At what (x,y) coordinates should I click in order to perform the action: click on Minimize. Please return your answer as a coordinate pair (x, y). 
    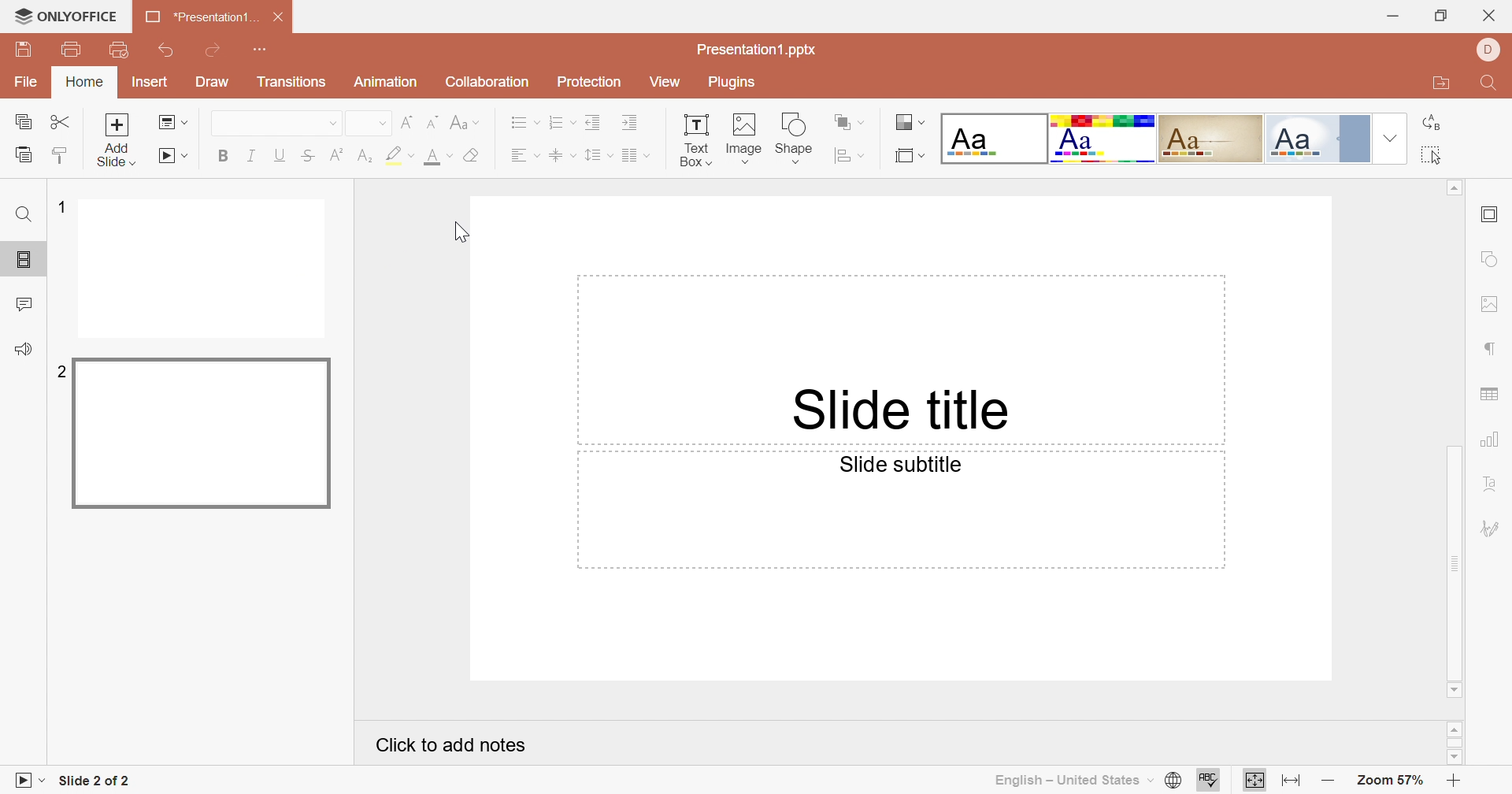
    Looking at the image, I should click on (1388, 16).